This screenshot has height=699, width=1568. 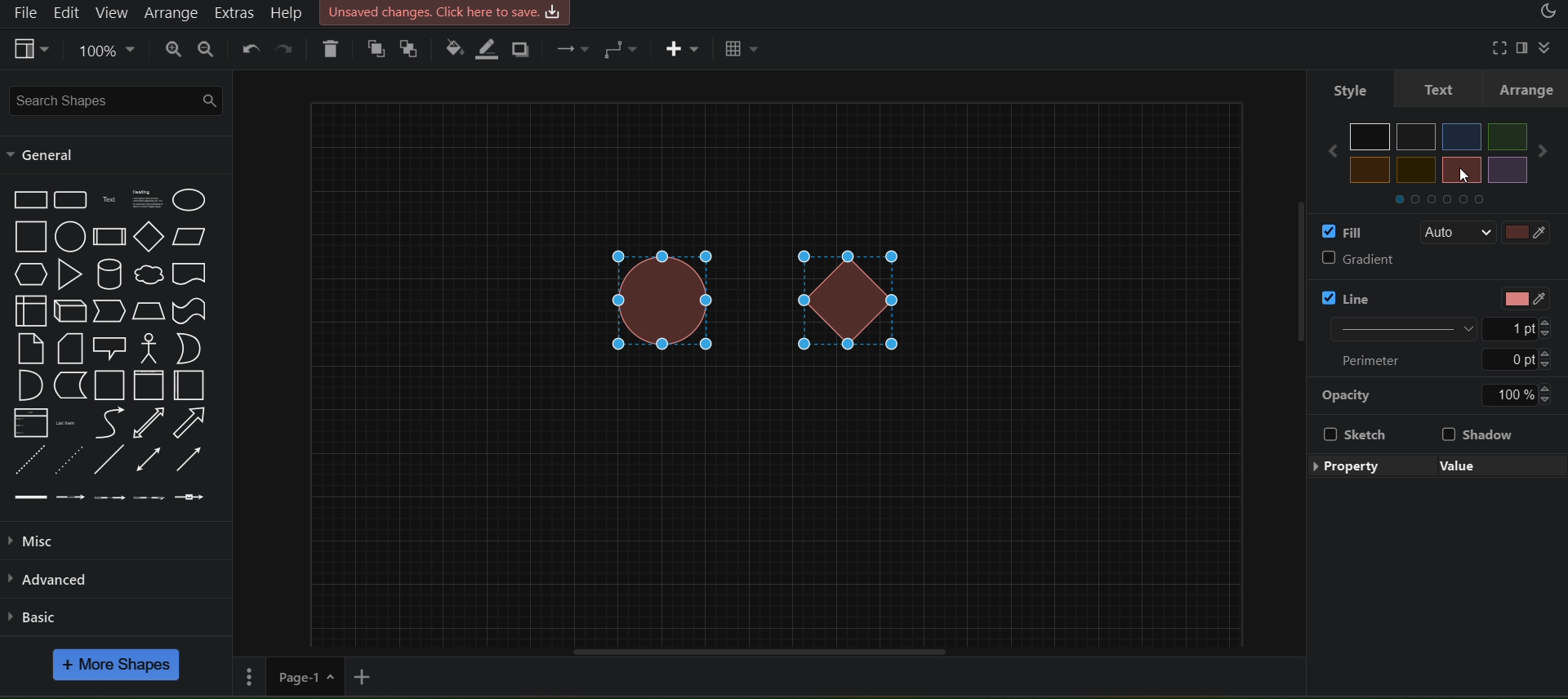 What do you see at coordinates (376, 49) in the screenshot?
I see `to front` at bounding box center [376, 49].